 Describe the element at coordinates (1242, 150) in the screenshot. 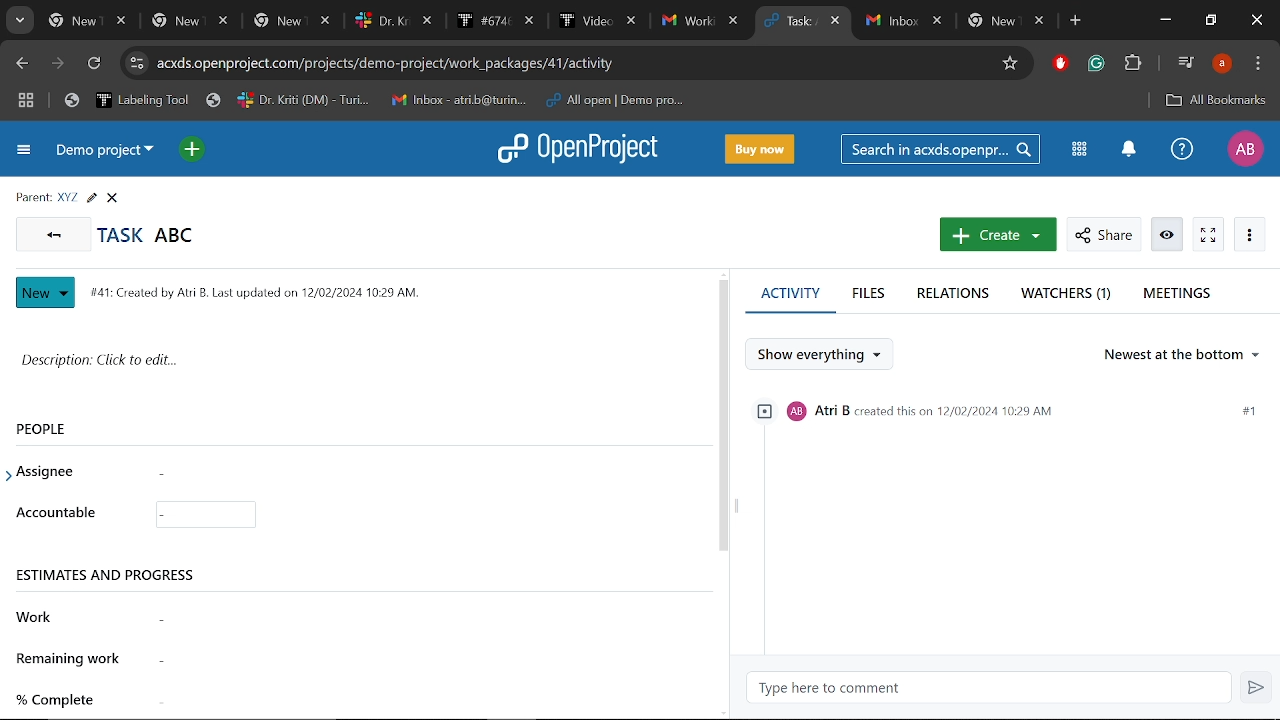

I see `Profile` at that location.